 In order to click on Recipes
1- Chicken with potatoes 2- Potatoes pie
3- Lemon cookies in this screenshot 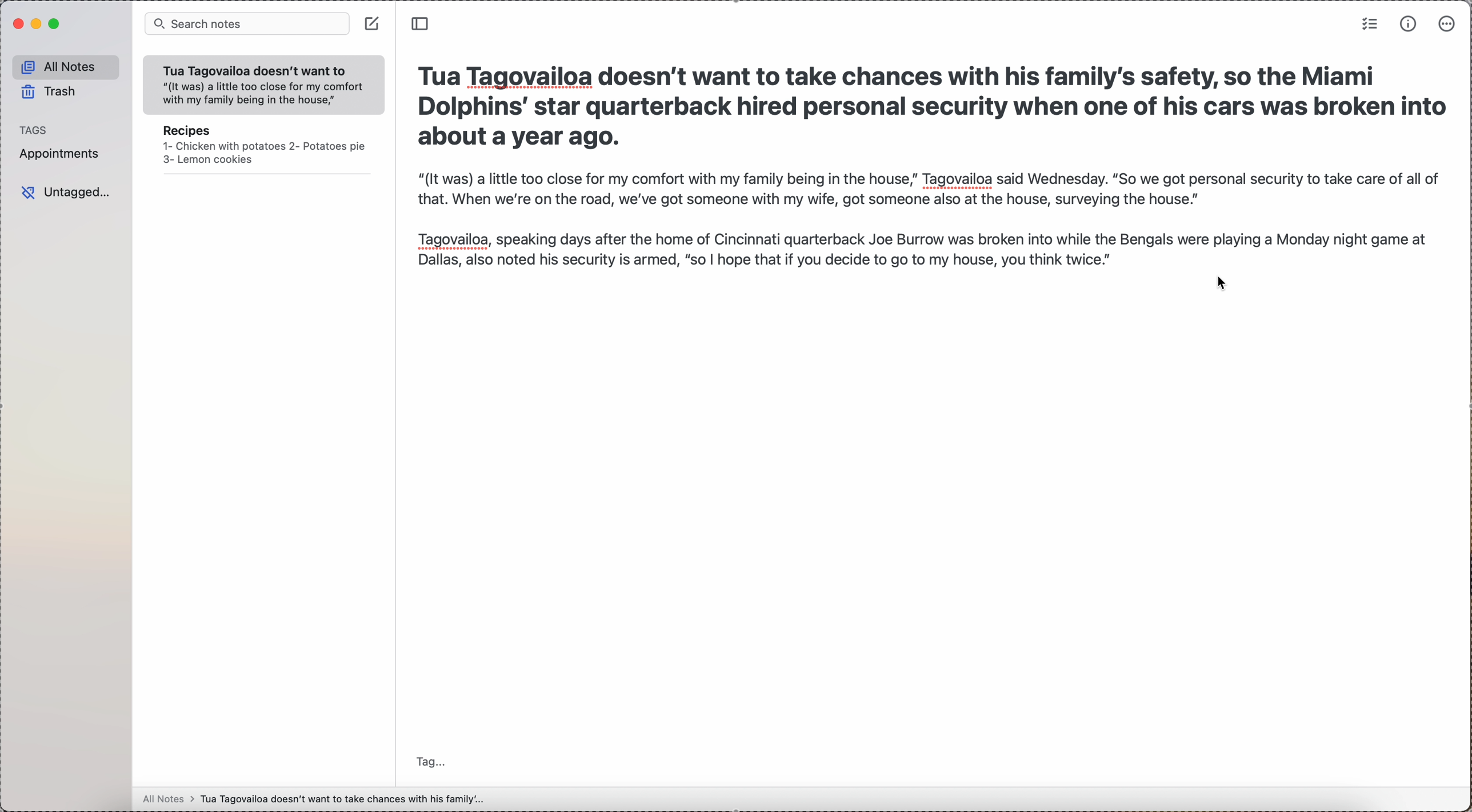, I will do `click(262, 150)`.